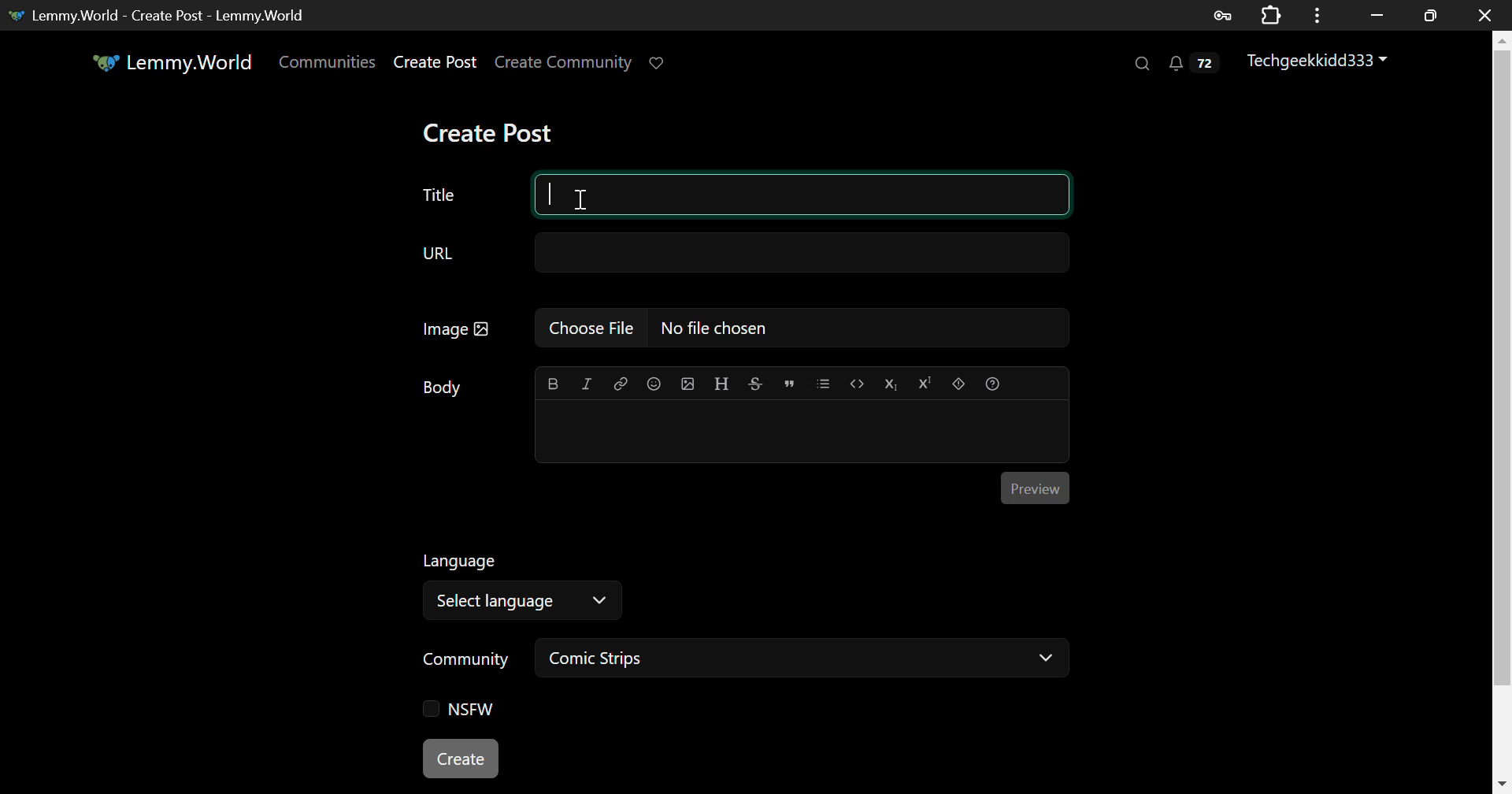 The height and width of the screenshot is (794, 1512). I want to click on Lemmy.World - Create Post - Lemmy.World, so click(164, 15).